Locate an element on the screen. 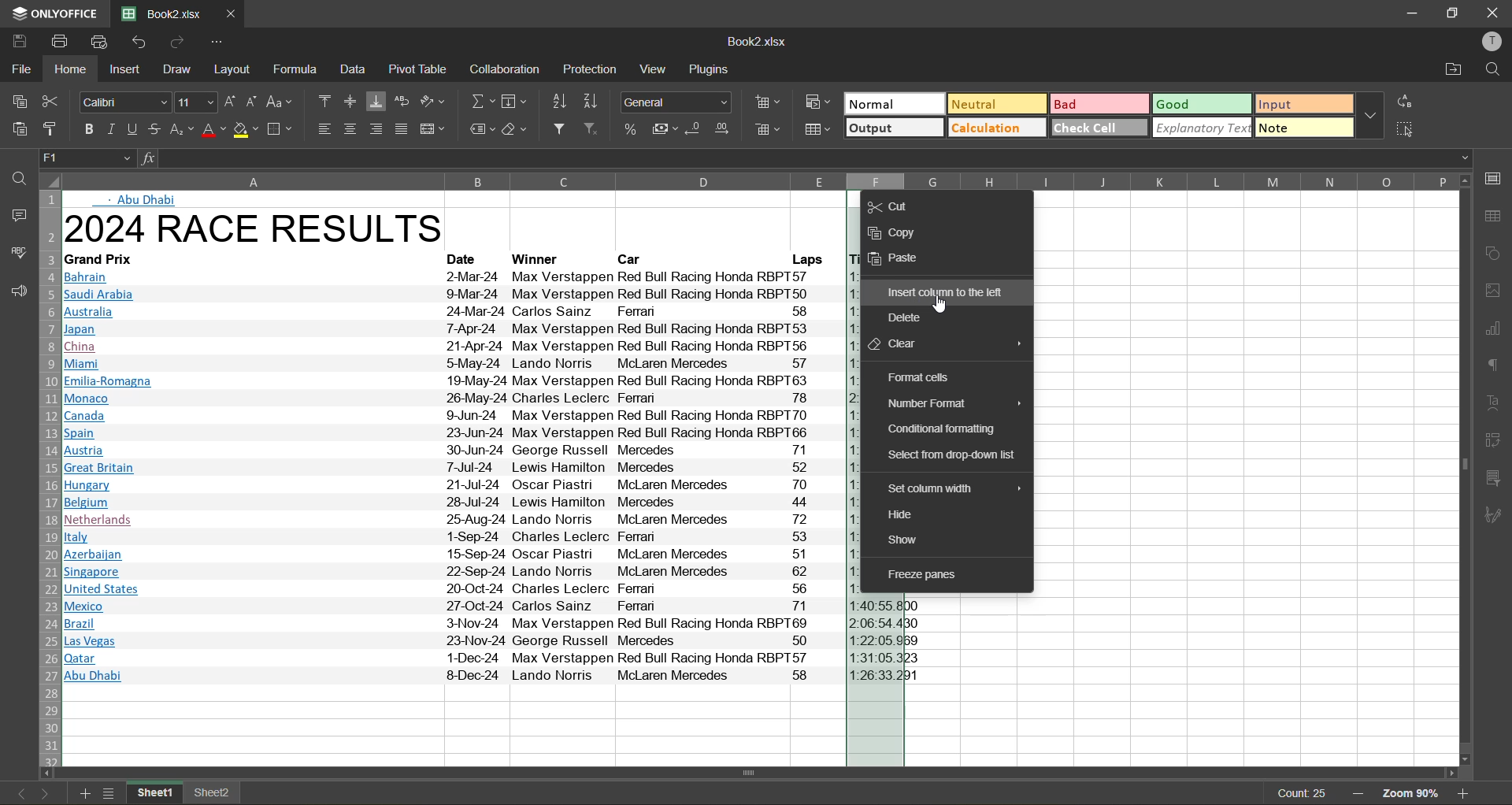 The image size is (1512, 805). borders is located at coordinates (283, 129).